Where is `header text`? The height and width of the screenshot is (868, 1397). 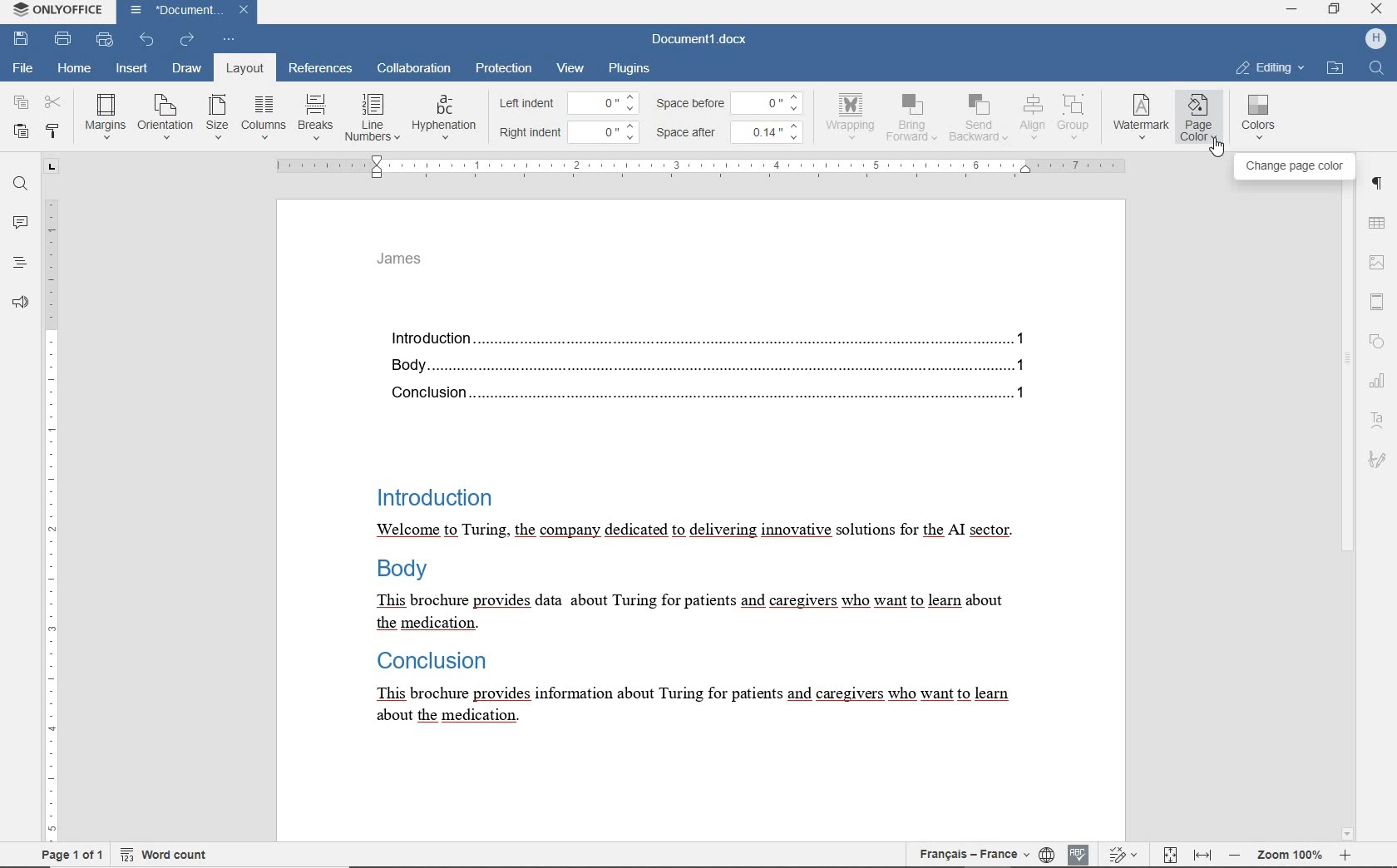
header text is located at coordinates (417, 259).